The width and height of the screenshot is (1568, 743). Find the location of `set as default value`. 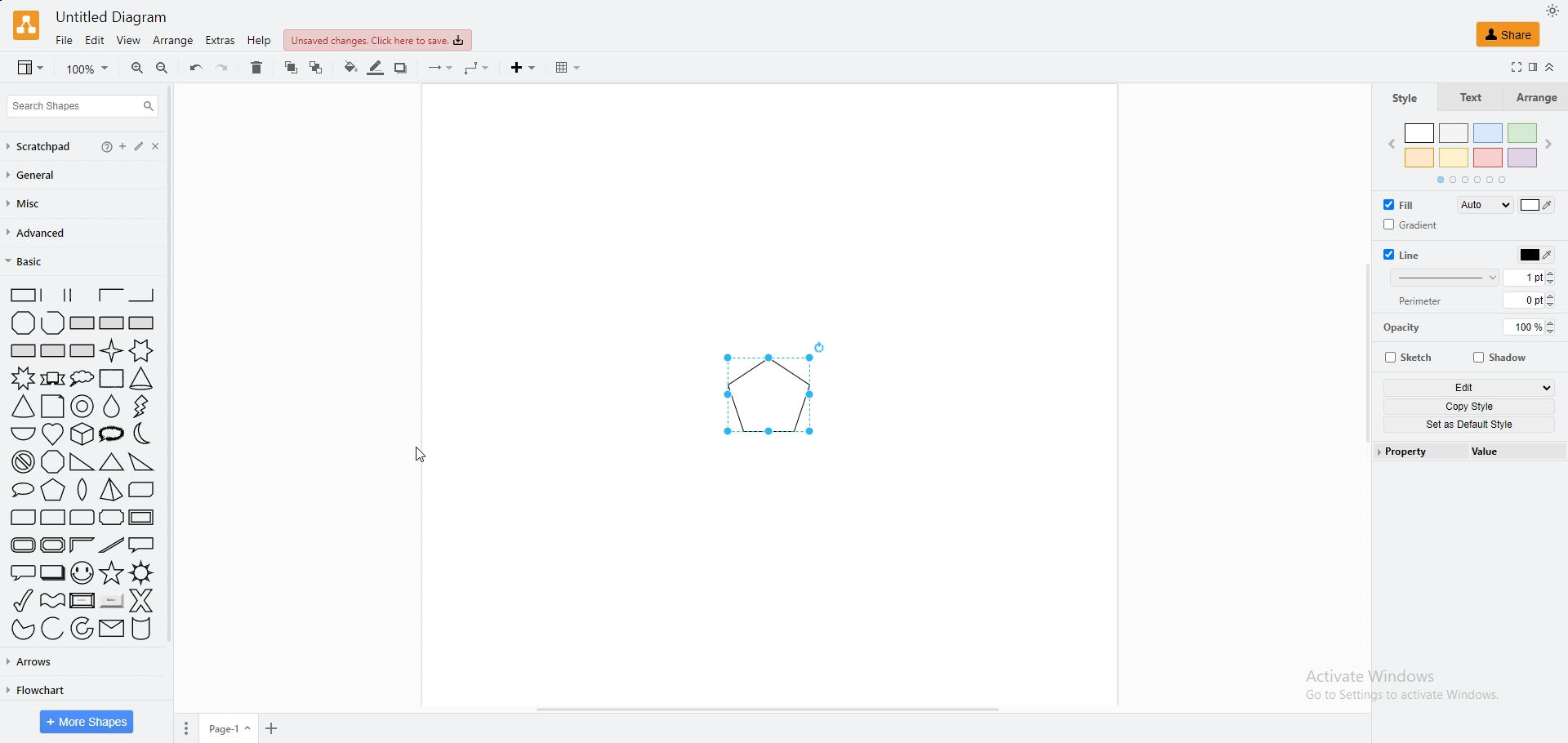

set as default value is located at coordinates (1470, 425).